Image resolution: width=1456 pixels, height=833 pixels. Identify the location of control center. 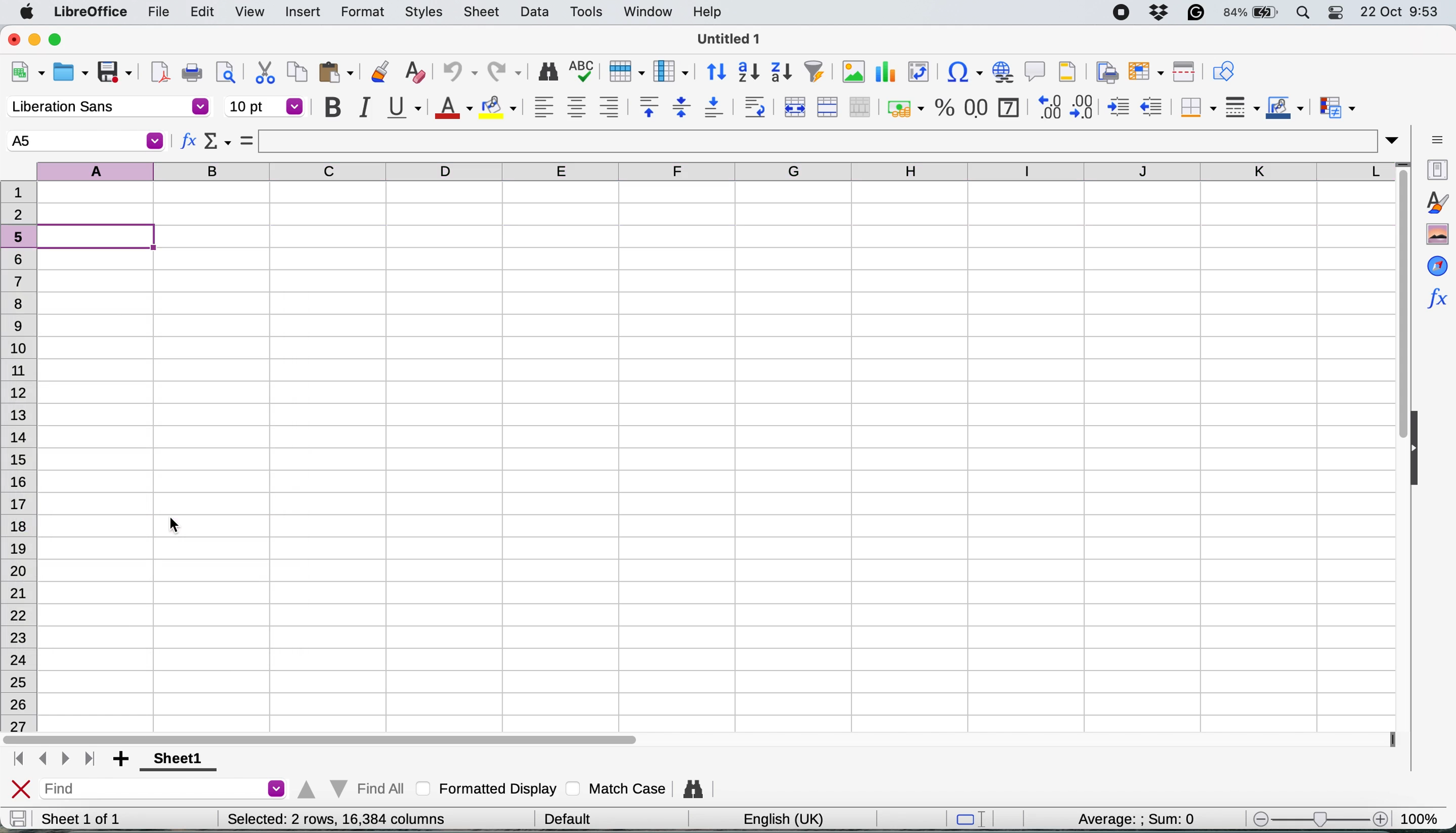
(1339, 13).